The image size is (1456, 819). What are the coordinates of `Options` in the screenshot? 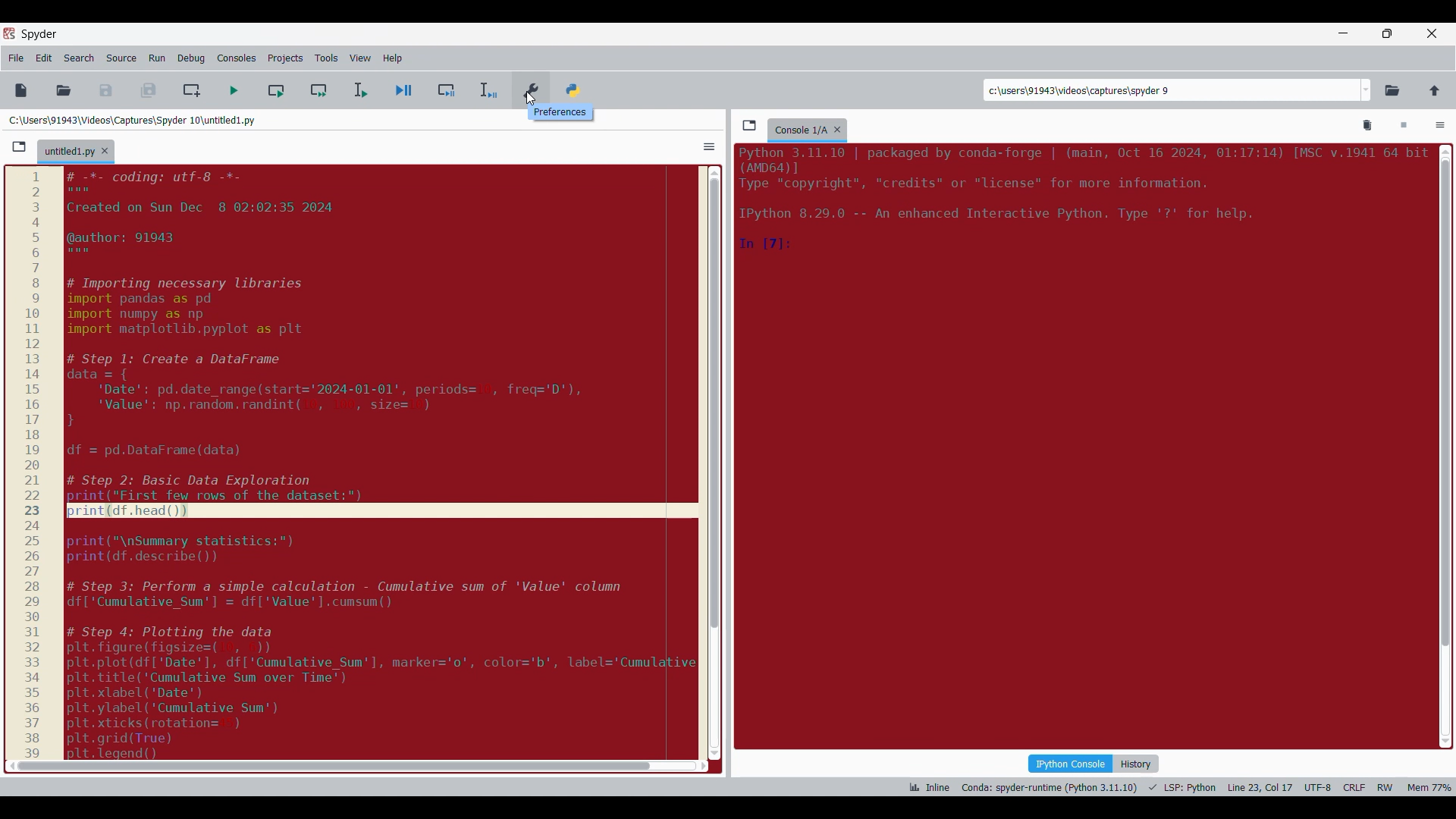 It's located at (1440, 127).